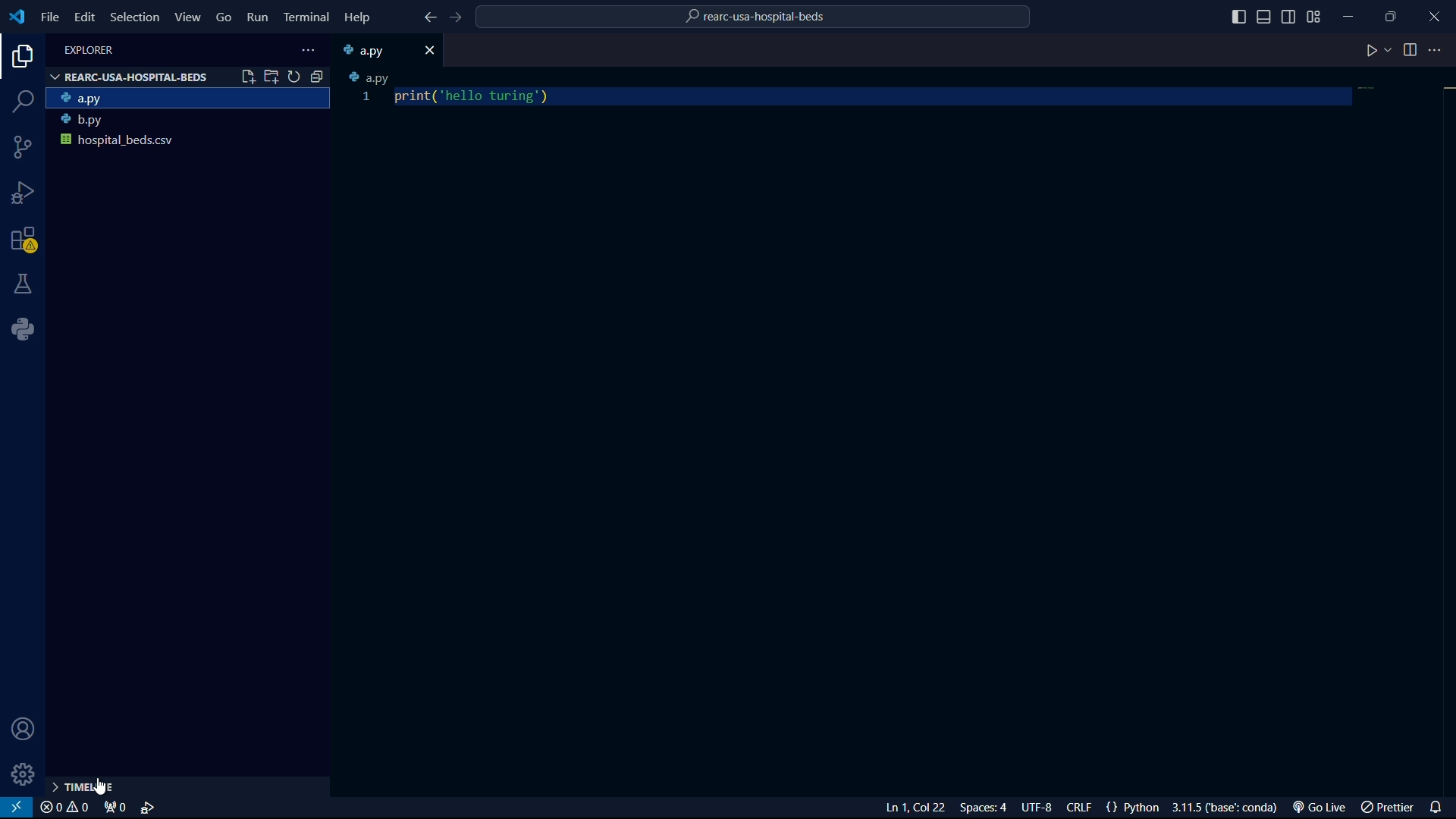 The height and width of the screenshot is (819, 1456). What do you see at coordinates (1439, 51) in the screenshot?
I see `more actions` at bounding box center [1439, 51].